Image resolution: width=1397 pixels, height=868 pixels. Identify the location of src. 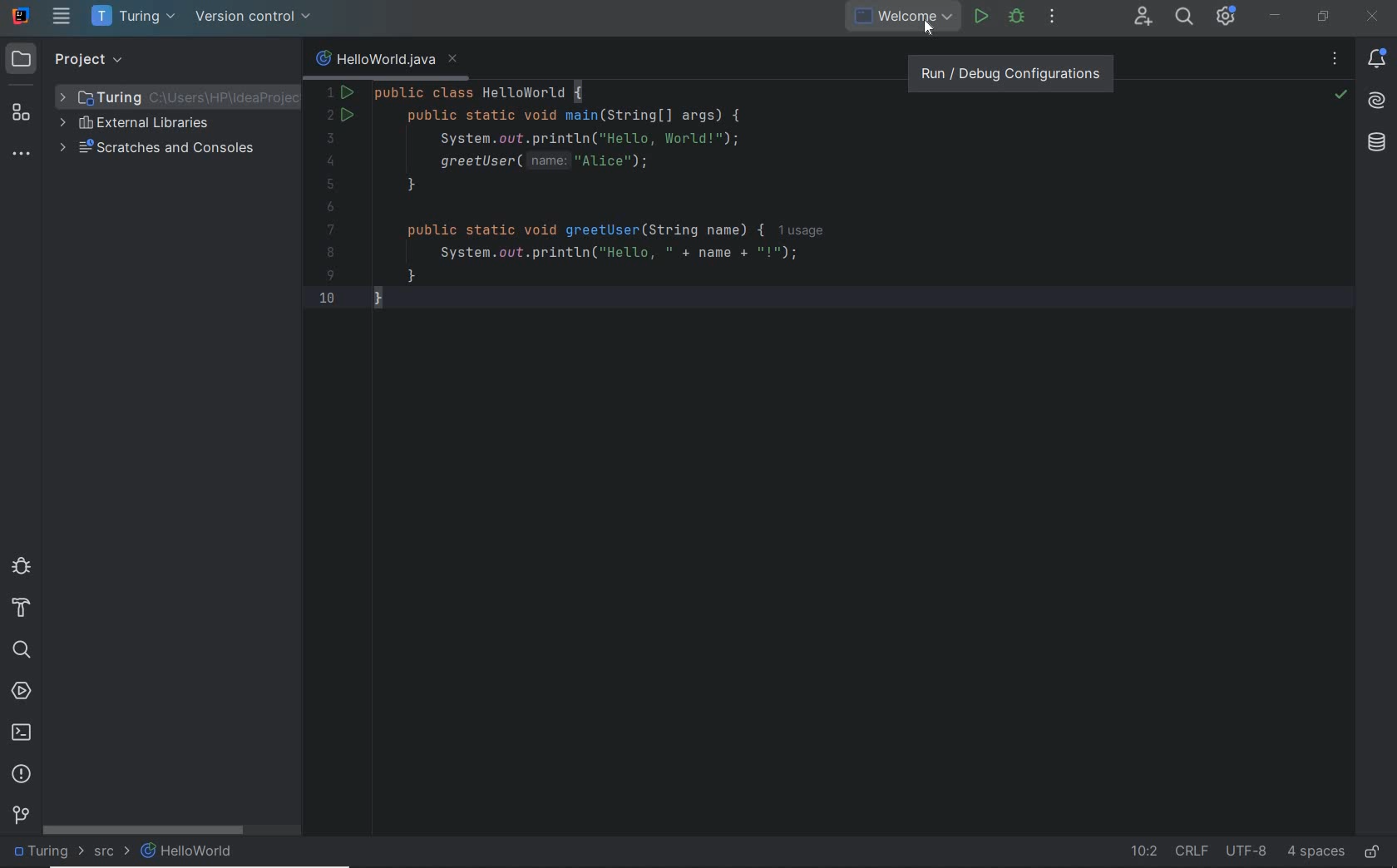
(111, 854).